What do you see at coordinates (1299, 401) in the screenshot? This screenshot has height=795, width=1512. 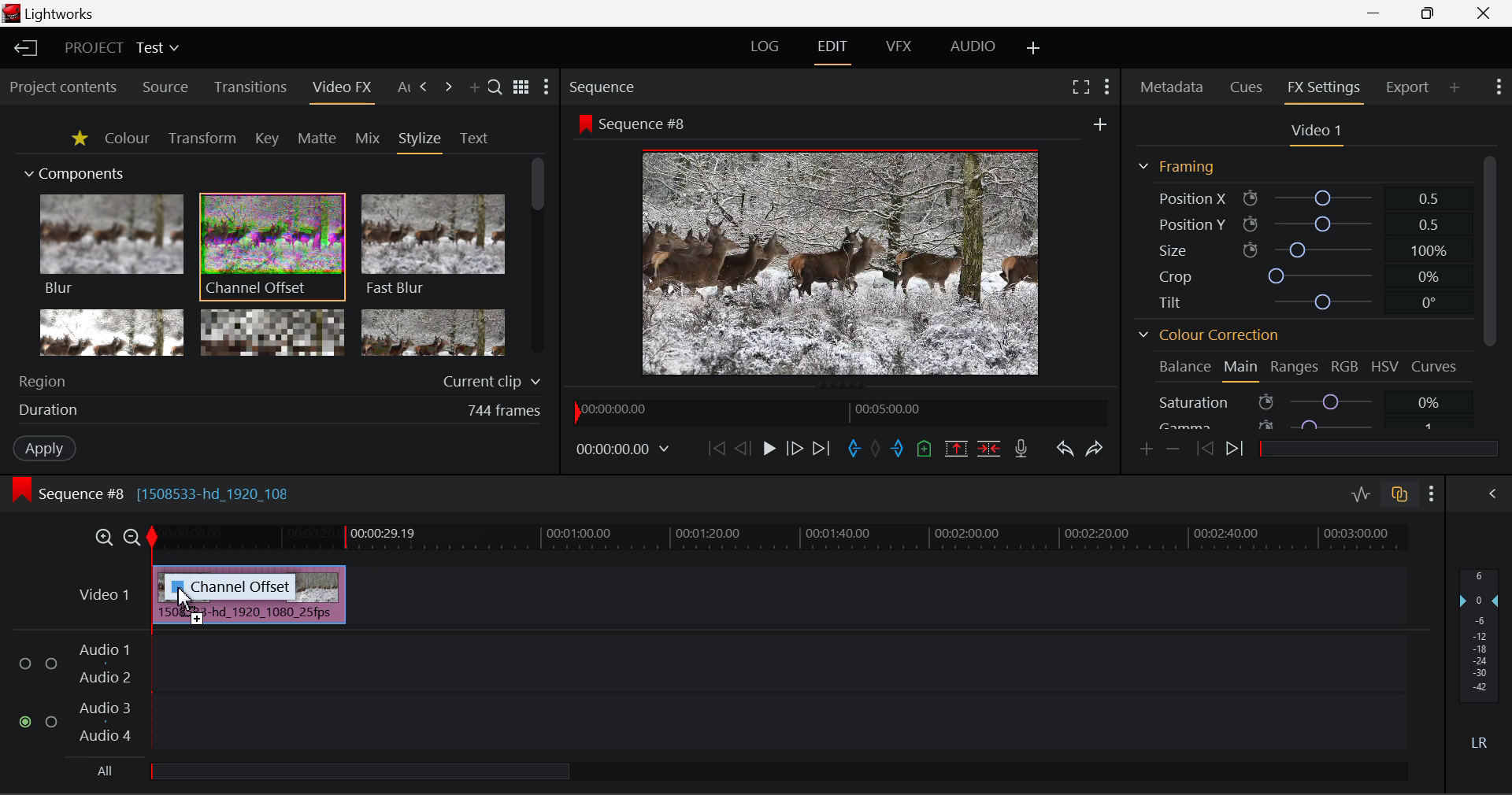 I see `Saturation` at bounding box center [1299, 401].